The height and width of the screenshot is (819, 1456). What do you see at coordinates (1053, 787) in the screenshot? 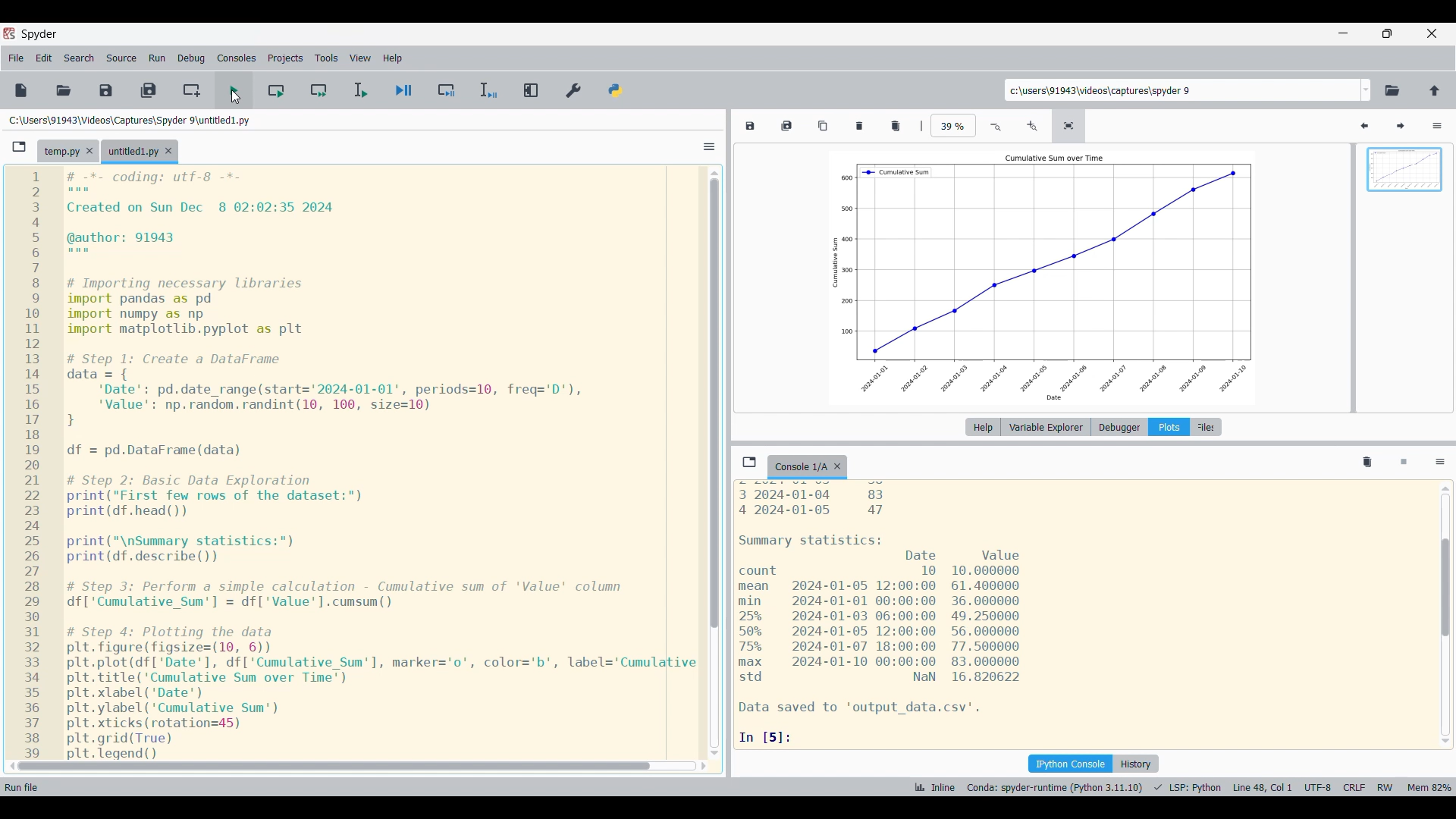
I see `interpreter` at bounding box center [1053, 787].